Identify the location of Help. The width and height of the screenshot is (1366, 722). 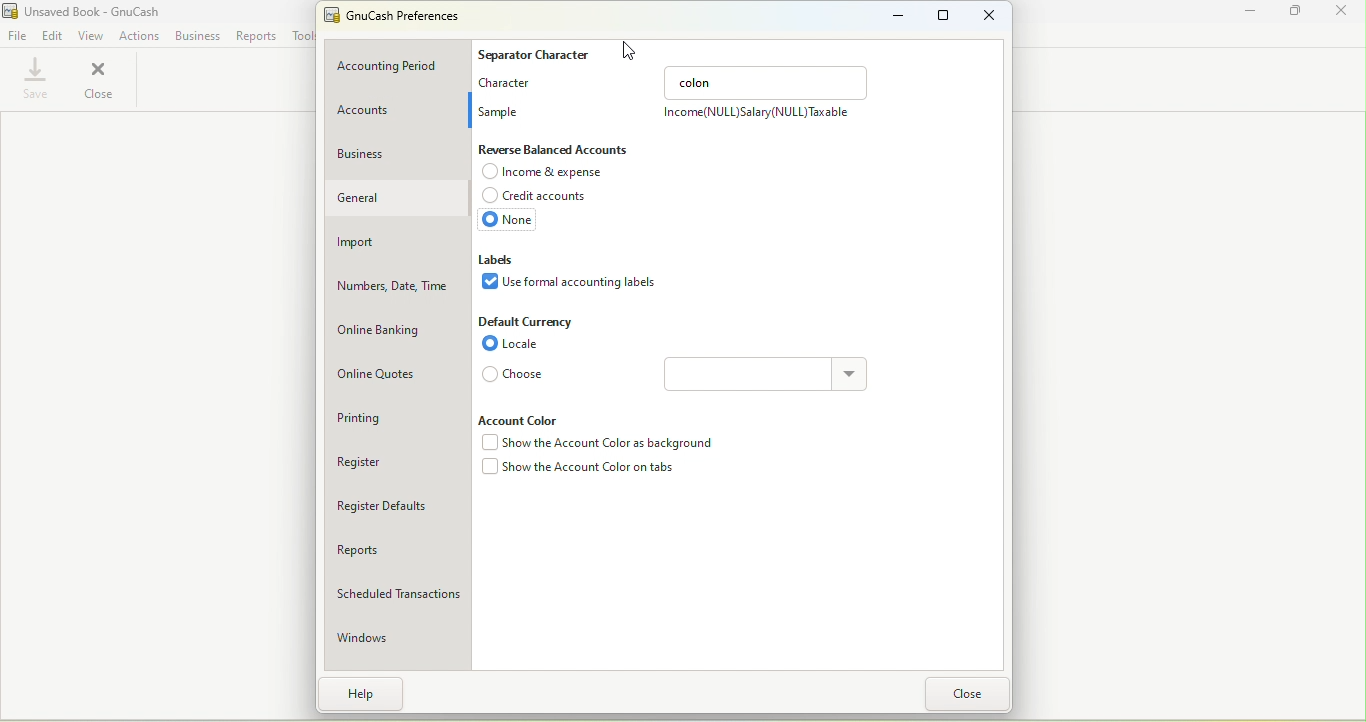
(366, 692).